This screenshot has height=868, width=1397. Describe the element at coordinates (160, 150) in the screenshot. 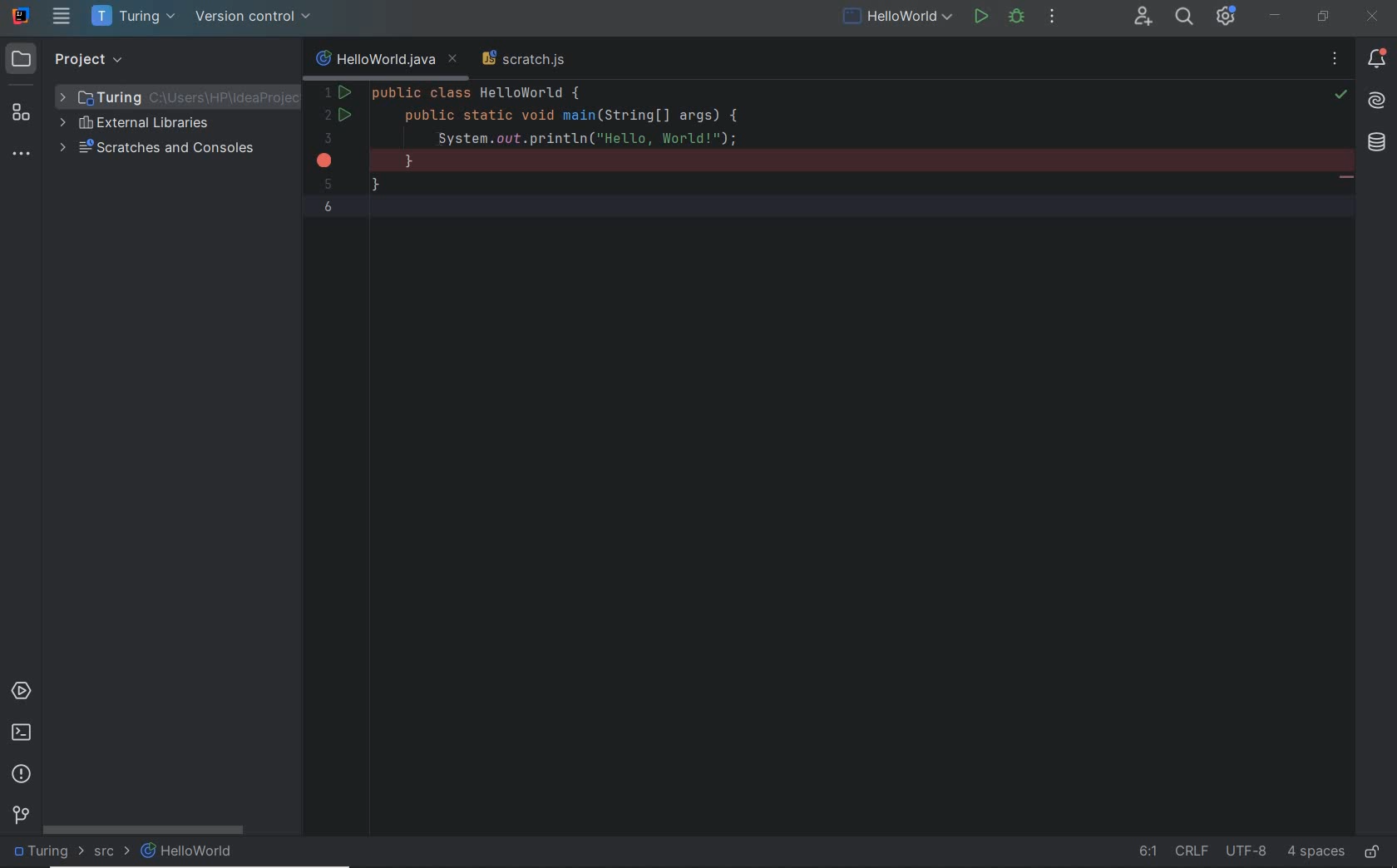

I see `scratches and consoles` at that location.